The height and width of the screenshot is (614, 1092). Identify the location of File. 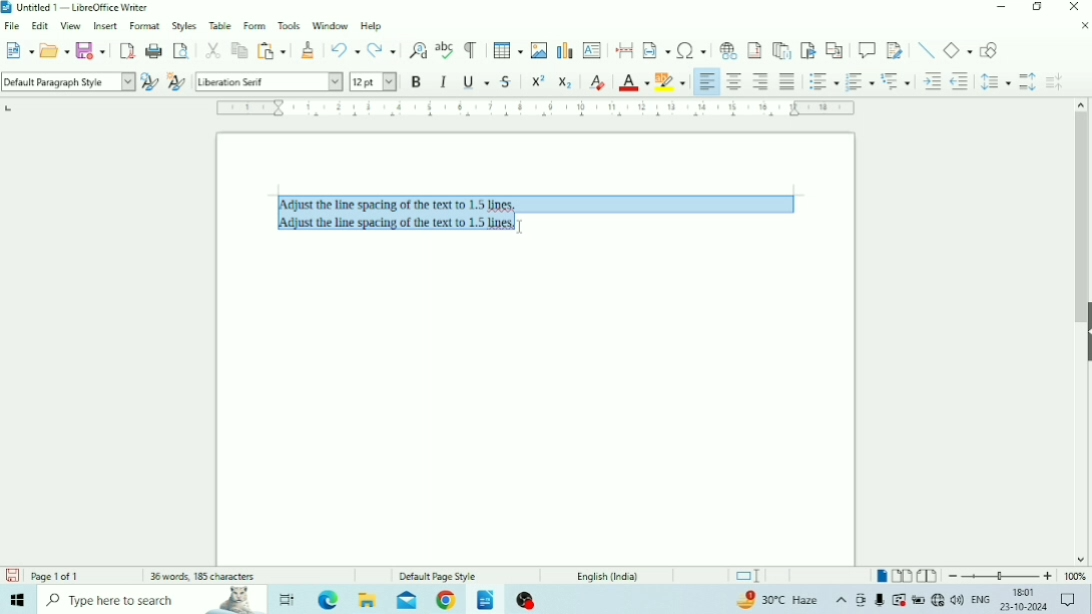
(12, 26).